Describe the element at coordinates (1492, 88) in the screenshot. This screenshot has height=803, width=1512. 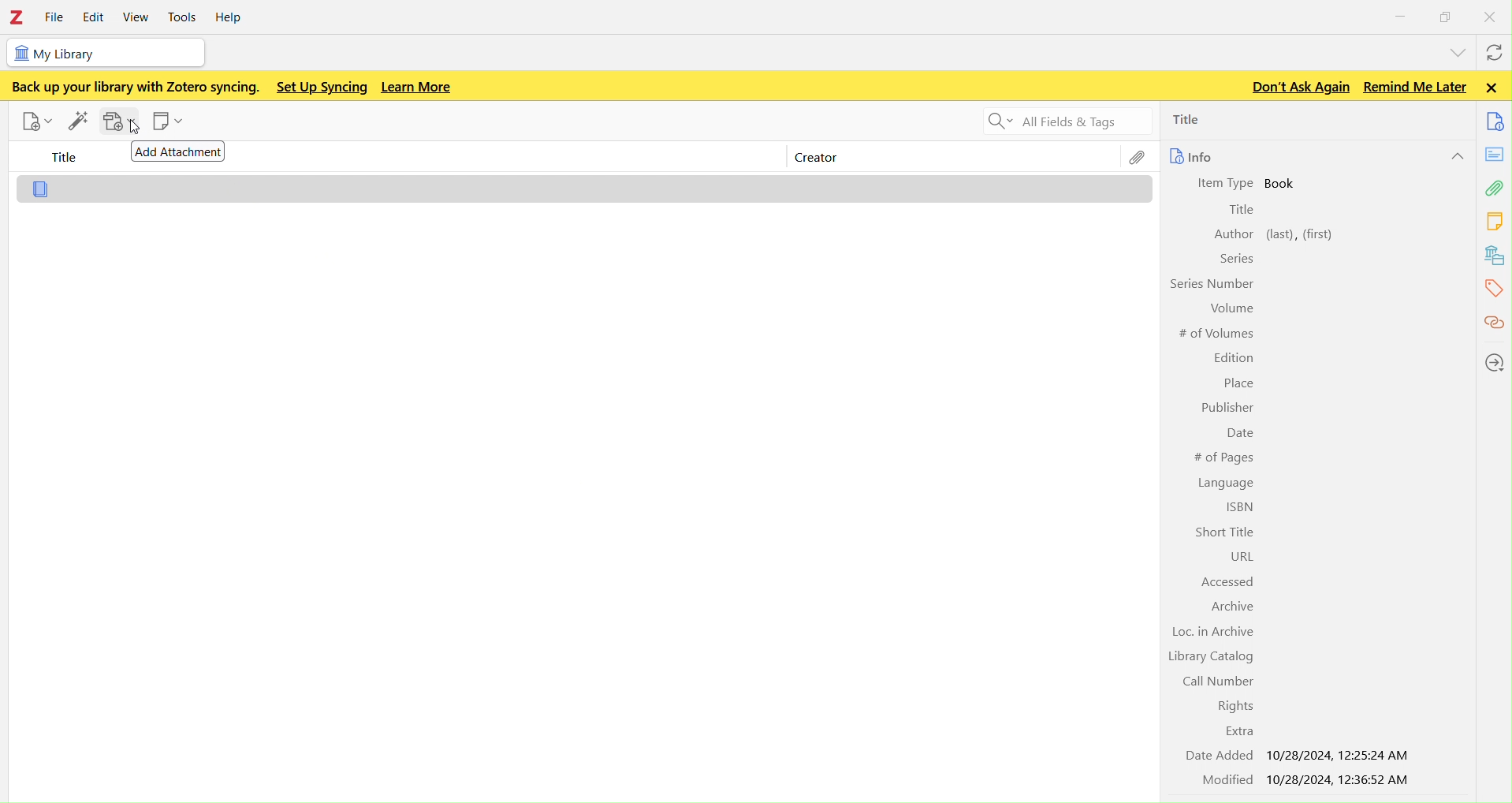
I see `Close` at that location.